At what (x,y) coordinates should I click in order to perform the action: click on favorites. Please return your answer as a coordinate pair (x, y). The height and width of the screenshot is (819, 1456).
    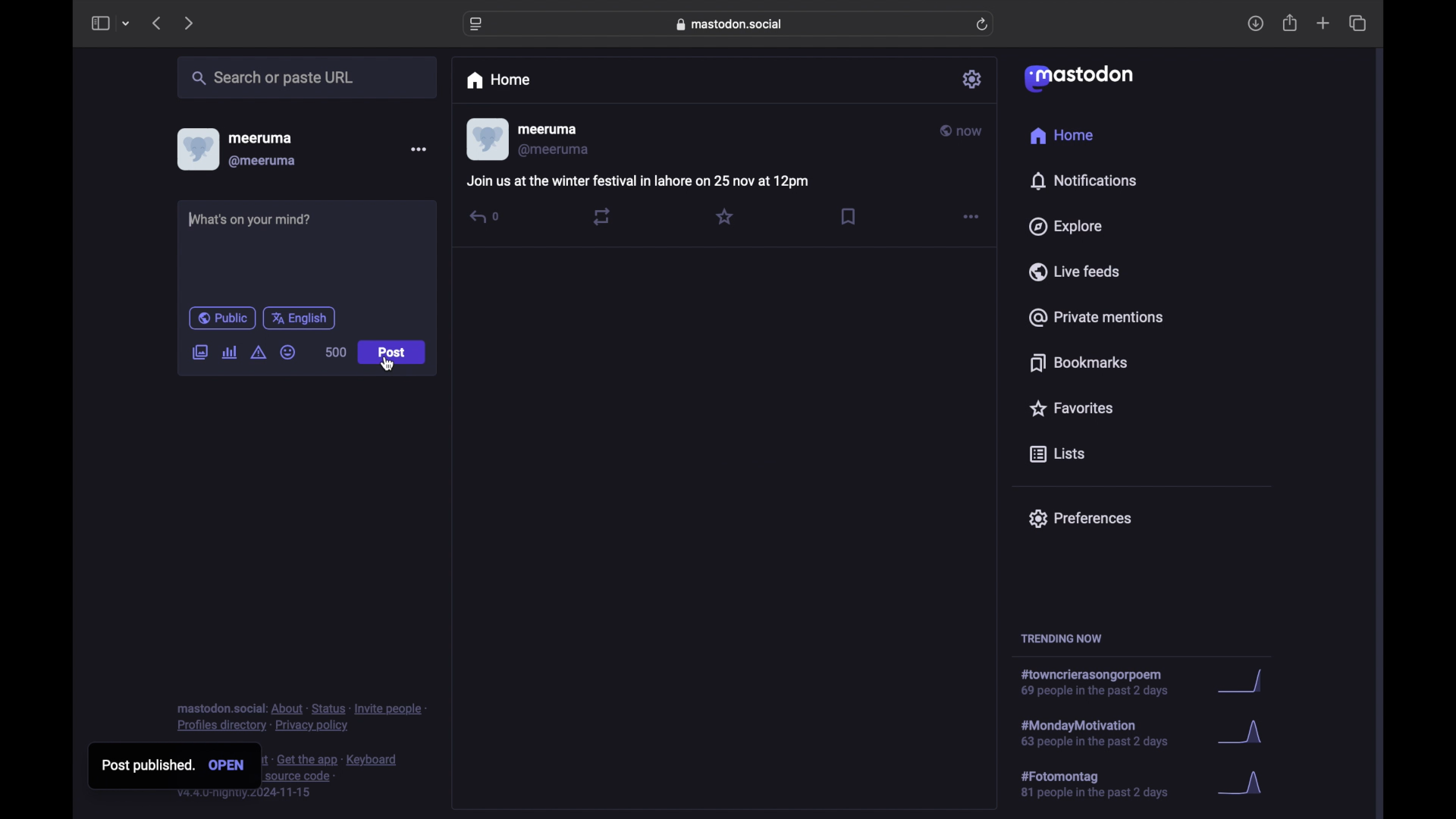
    Looking at the image, I should click on (1070, 408).